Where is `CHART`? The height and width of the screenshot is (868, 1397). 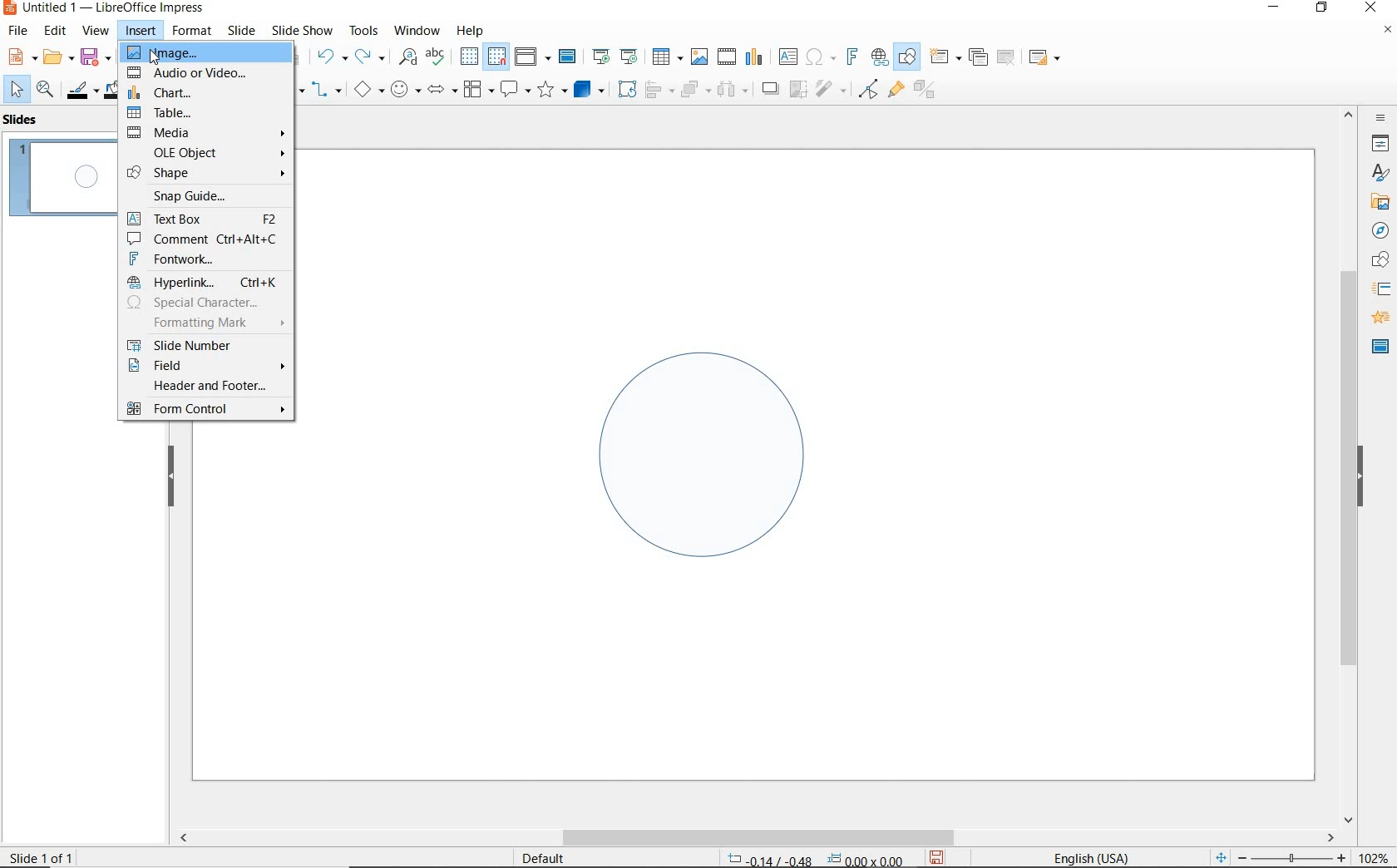 CHART is located at coordinates (206, 92).